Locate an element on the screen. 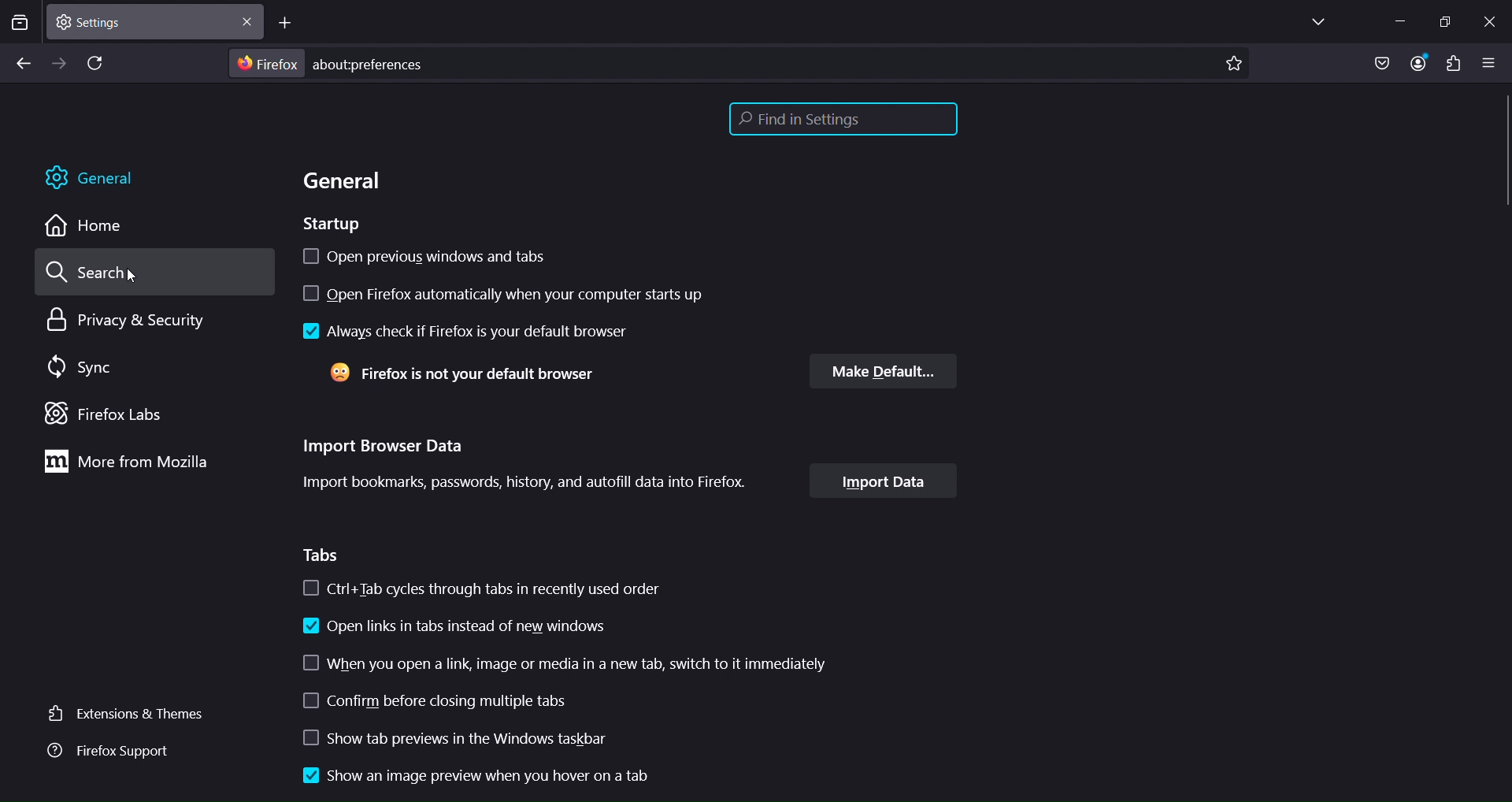  close tab is located at coordinates (250, 20).